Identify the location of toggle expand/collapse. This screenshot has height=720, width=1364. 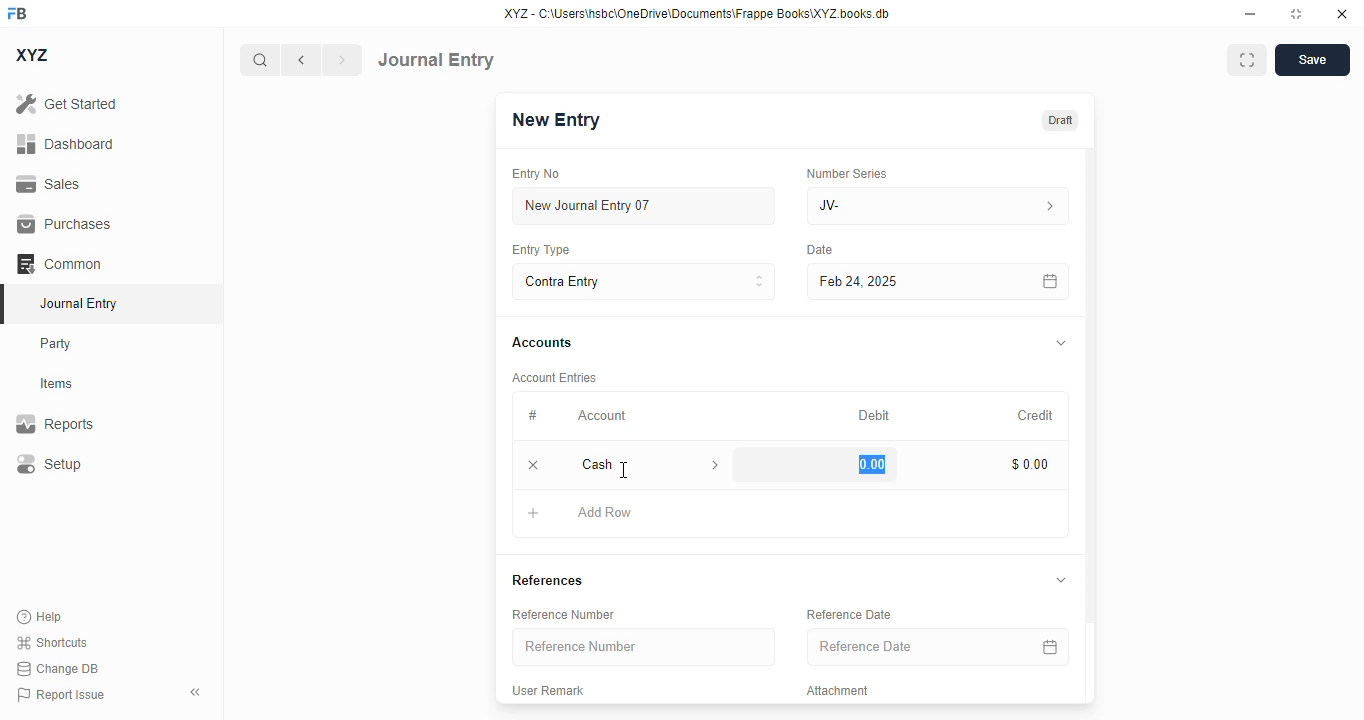
(1062, 580).